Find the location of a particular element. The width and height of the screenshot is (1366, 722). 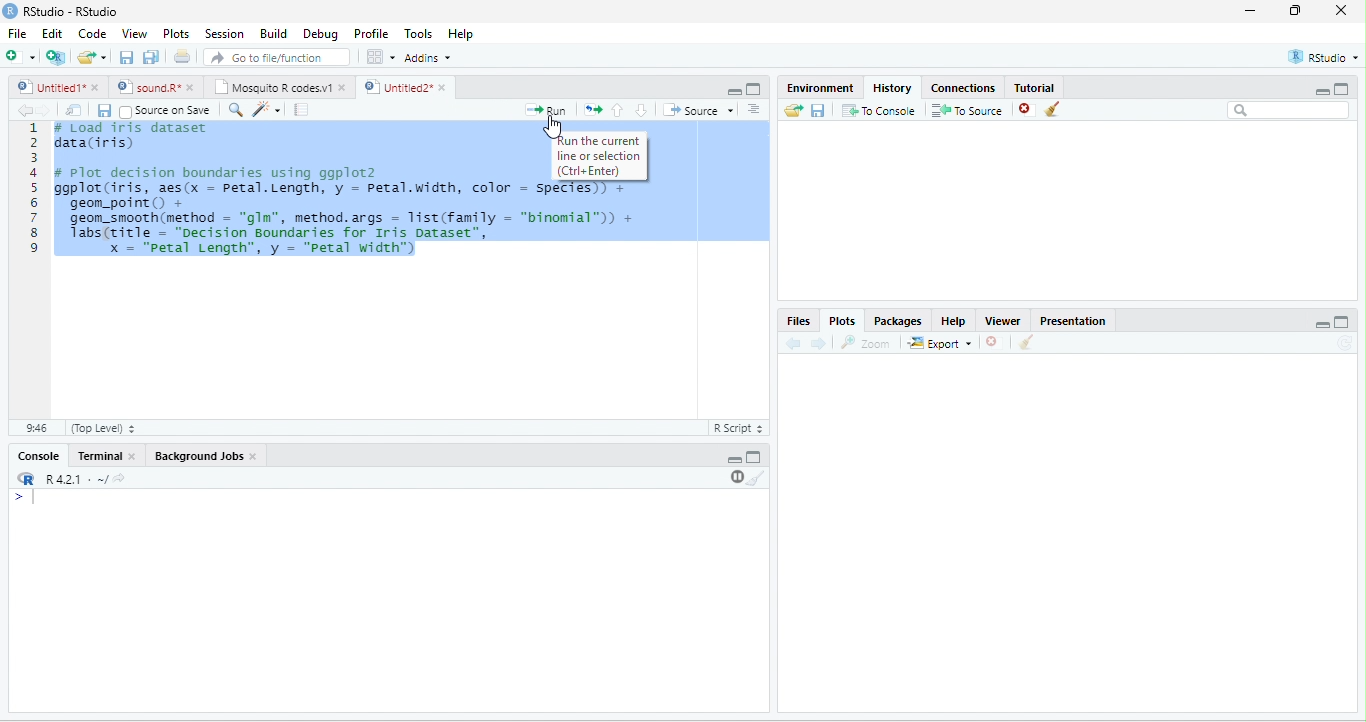

show in new window is located at coordinates (75, 110).